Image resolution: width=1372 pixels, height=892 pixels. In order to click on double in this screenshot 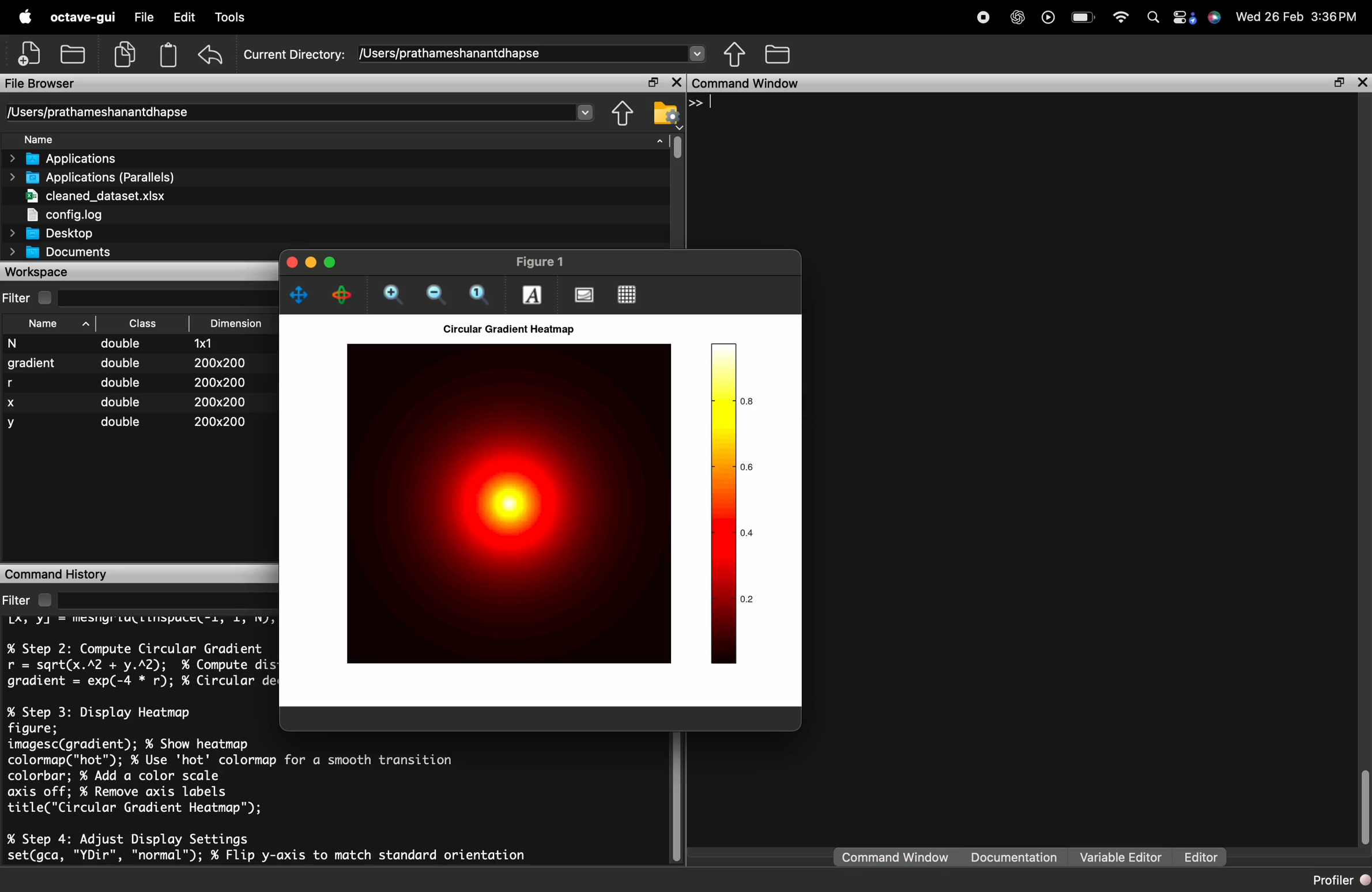, I will do `click(128, 345)`.